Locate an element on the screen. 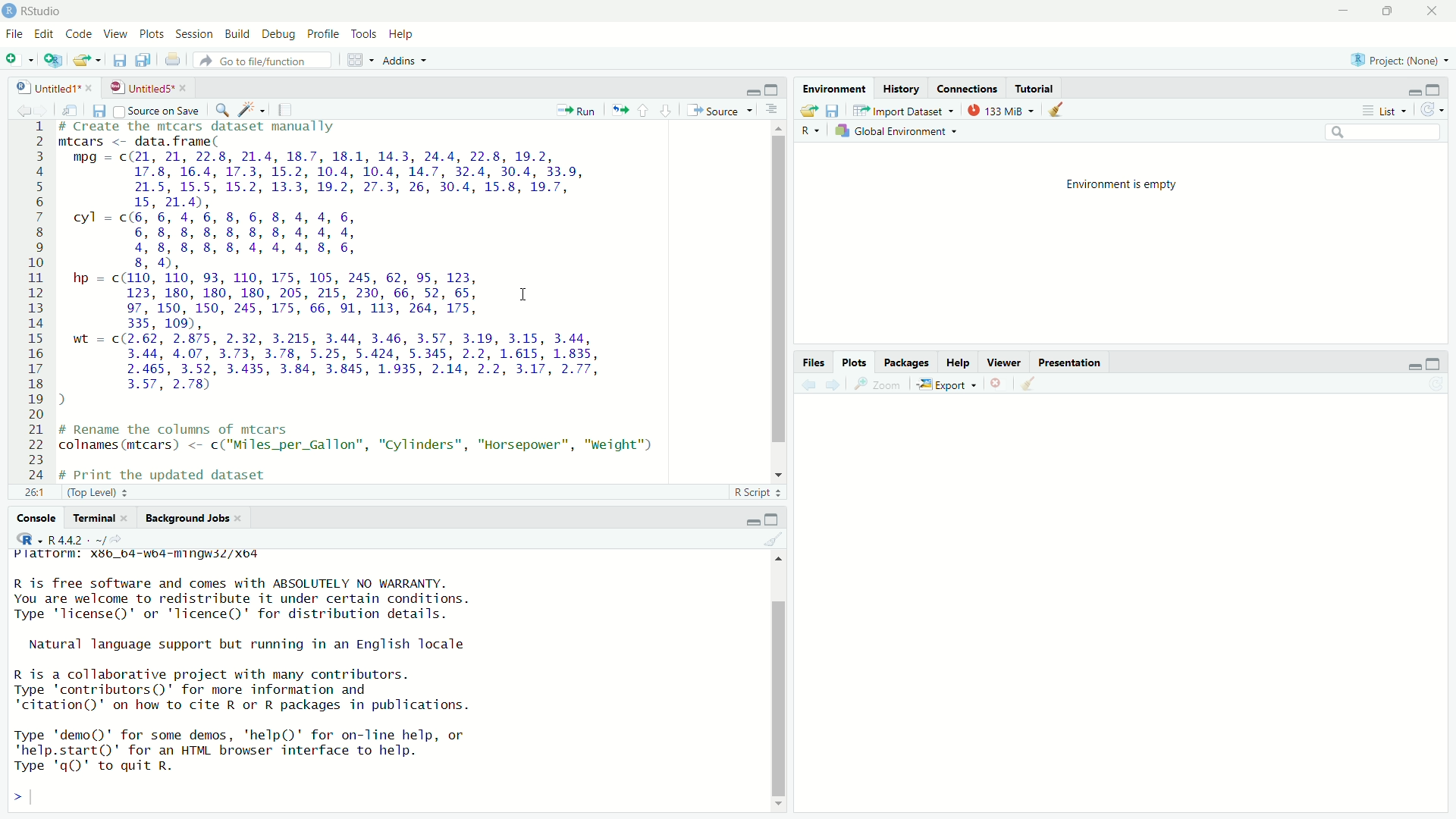 The height and width of the screenshot is (819, 1456). Source on Save is located at coordinates (158, 111).